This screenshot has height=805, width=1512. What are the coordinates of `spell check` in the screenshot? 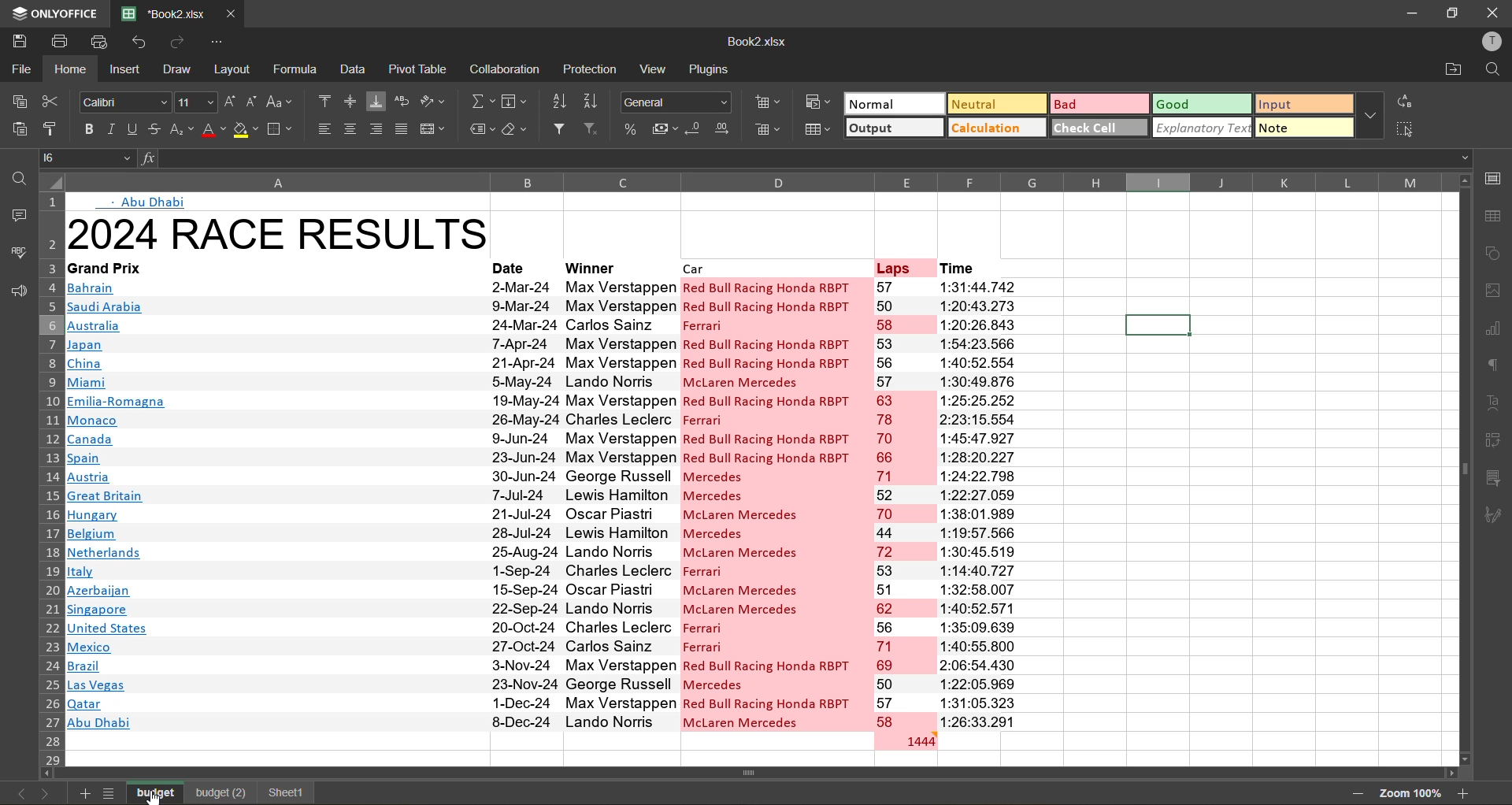 It's located at (17, 251).